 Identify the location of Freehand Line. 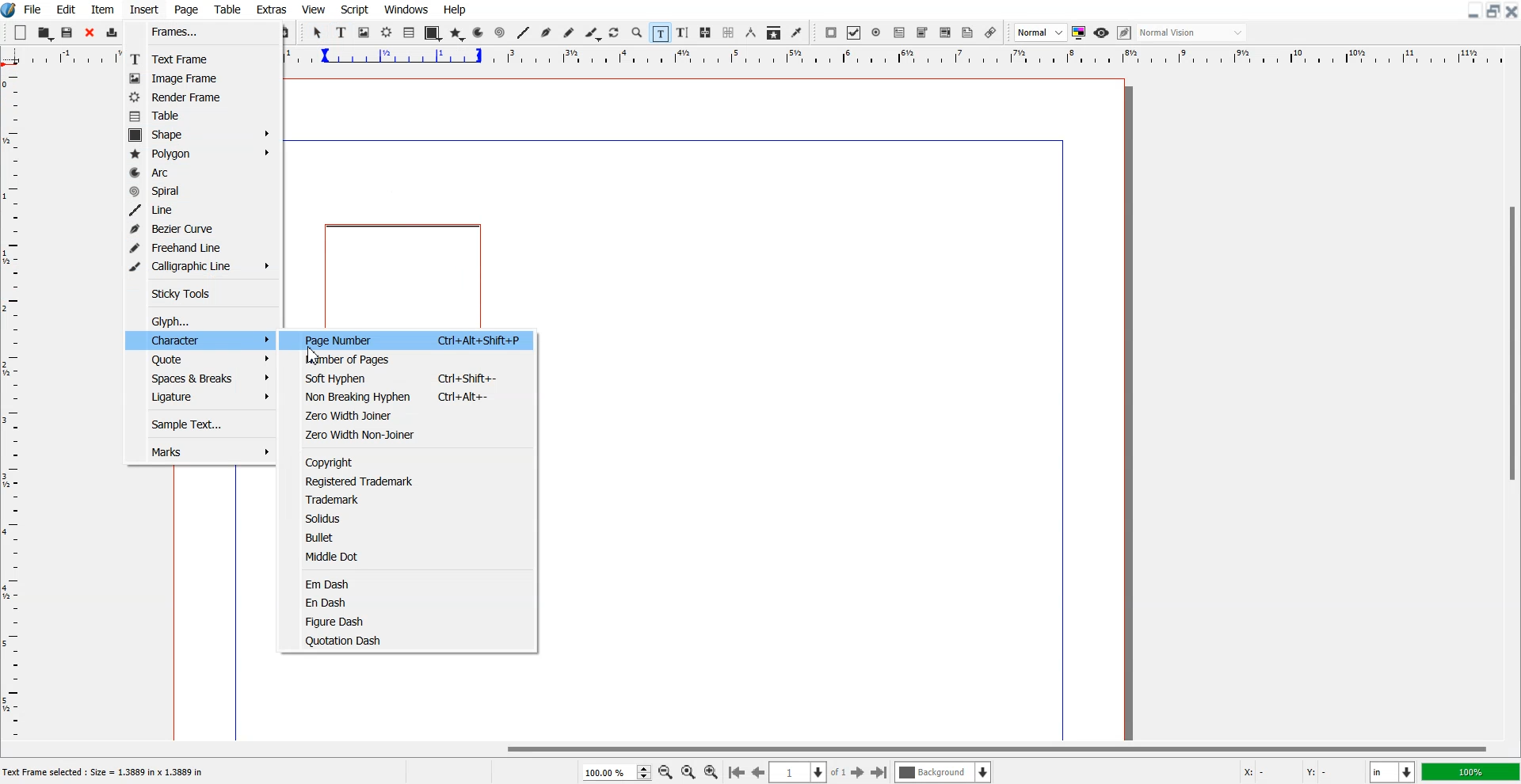
(200, 245).